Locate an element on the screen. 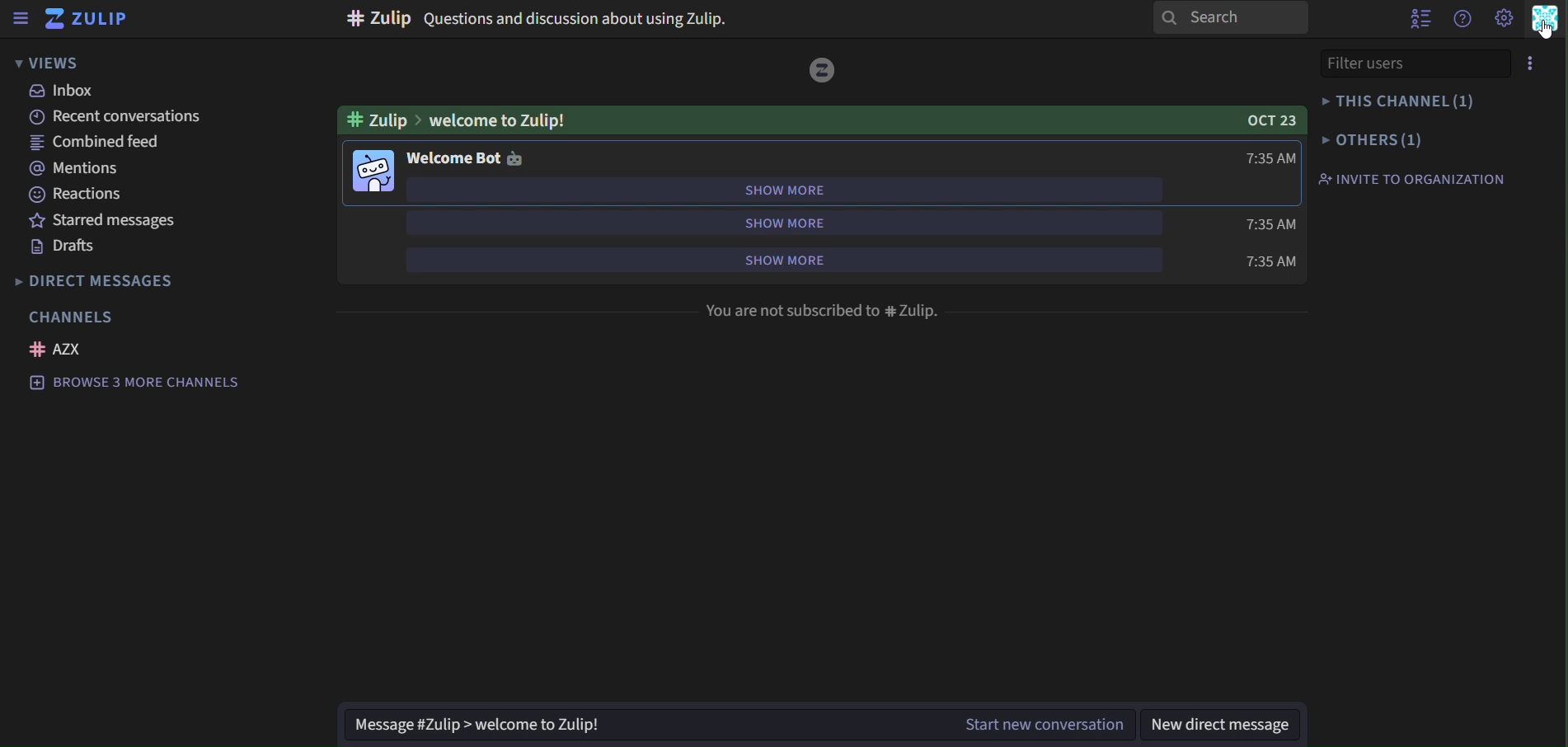  others is located at coordinates (1375, 139).